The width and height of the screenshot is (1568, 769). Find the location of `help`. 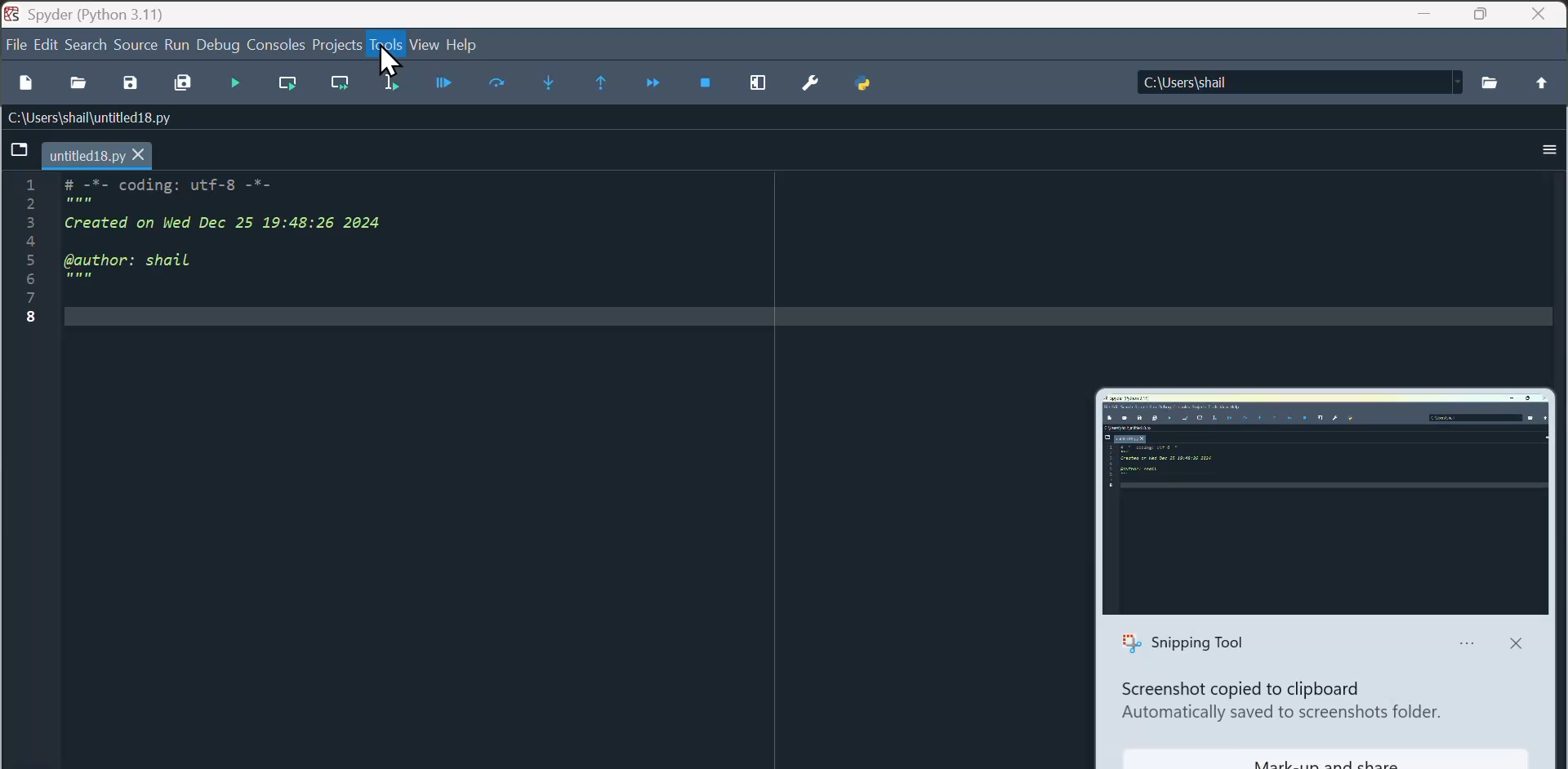

help is located at coordinates (464, 44).